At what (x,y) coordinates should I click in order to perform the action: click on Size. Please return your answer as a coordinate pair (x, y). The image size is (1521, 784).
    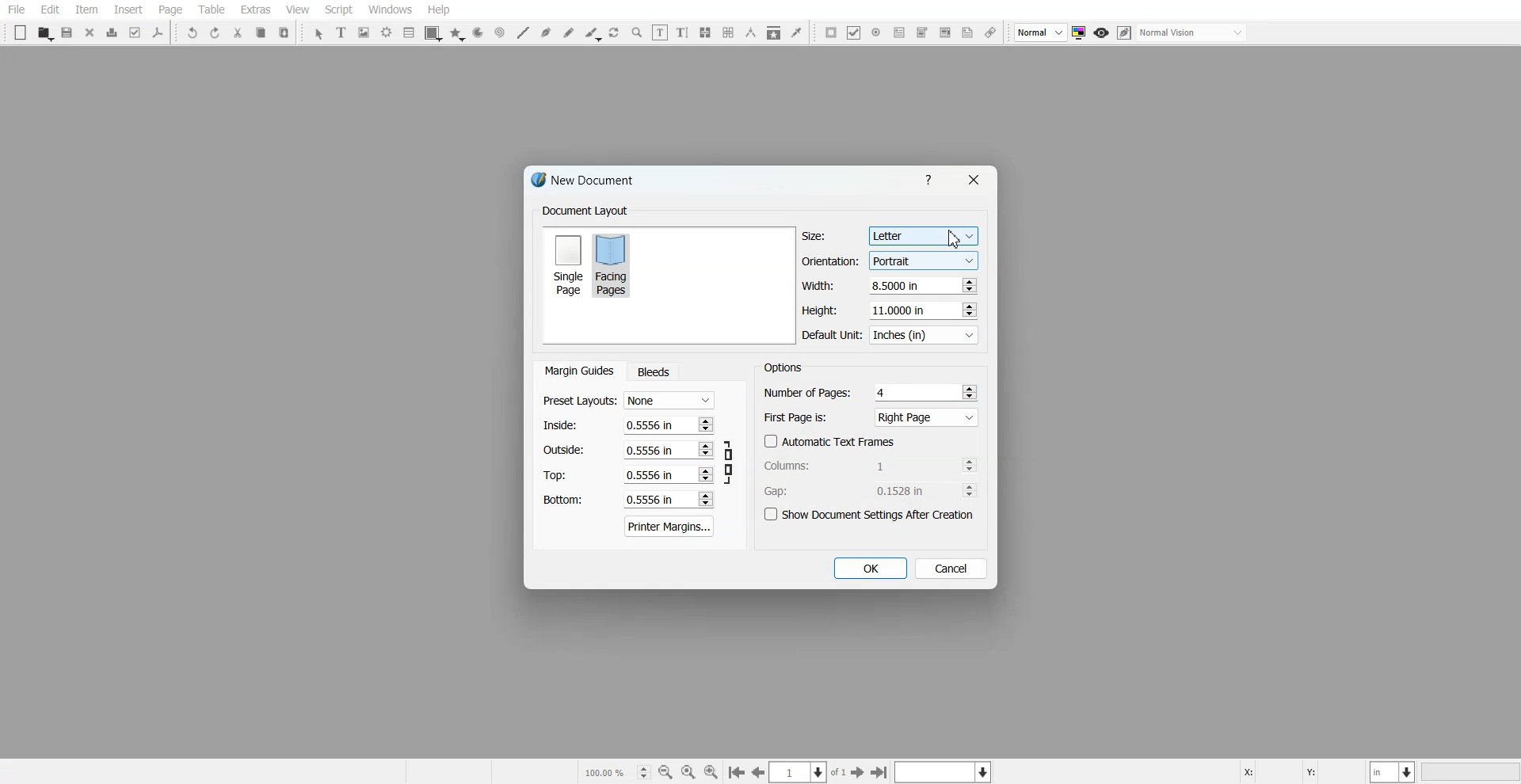
    Looking at the image, I should click on (890, 236).